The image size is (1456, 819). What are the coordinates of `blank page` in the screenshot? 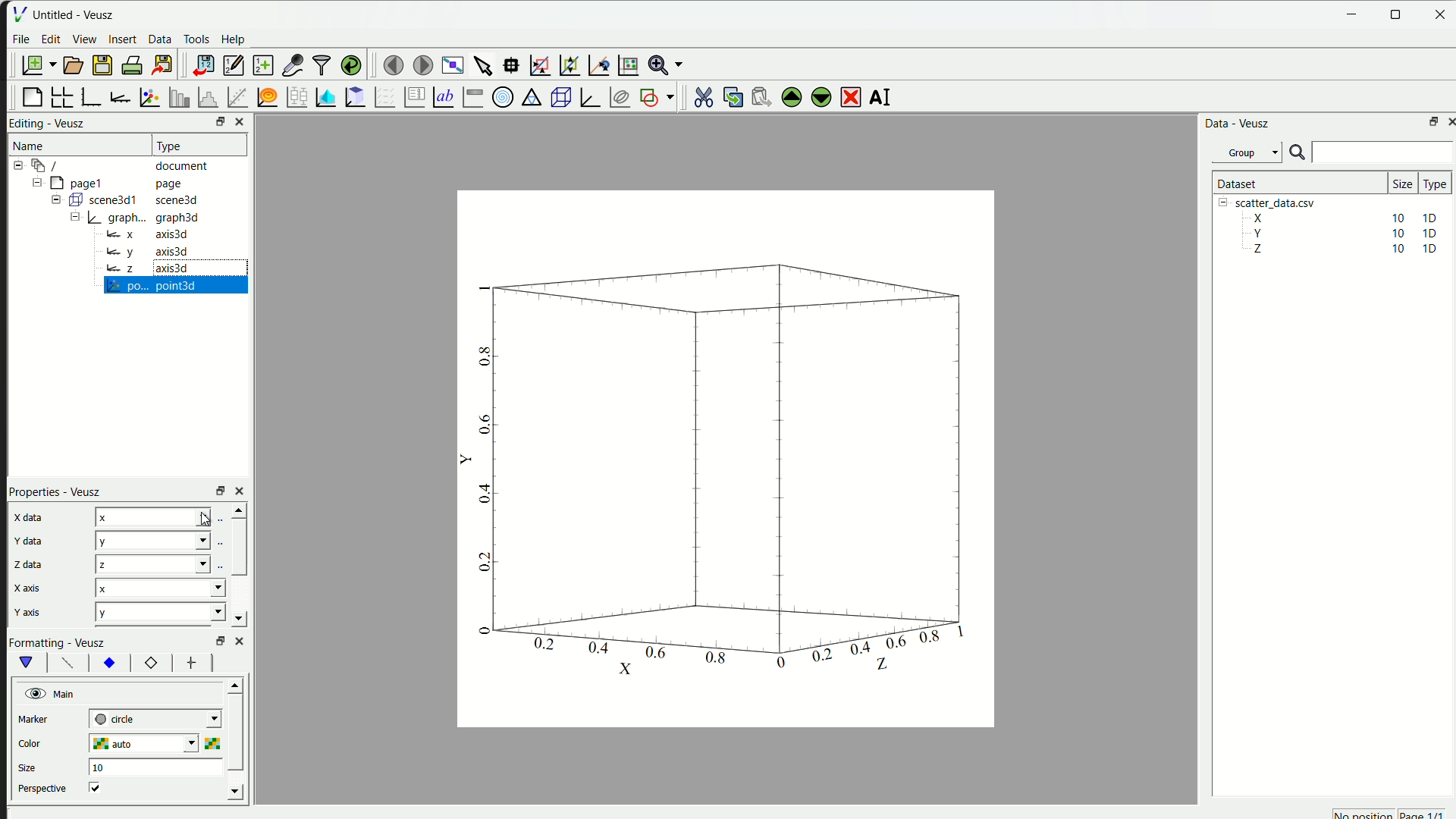 It's located at (28, 98).